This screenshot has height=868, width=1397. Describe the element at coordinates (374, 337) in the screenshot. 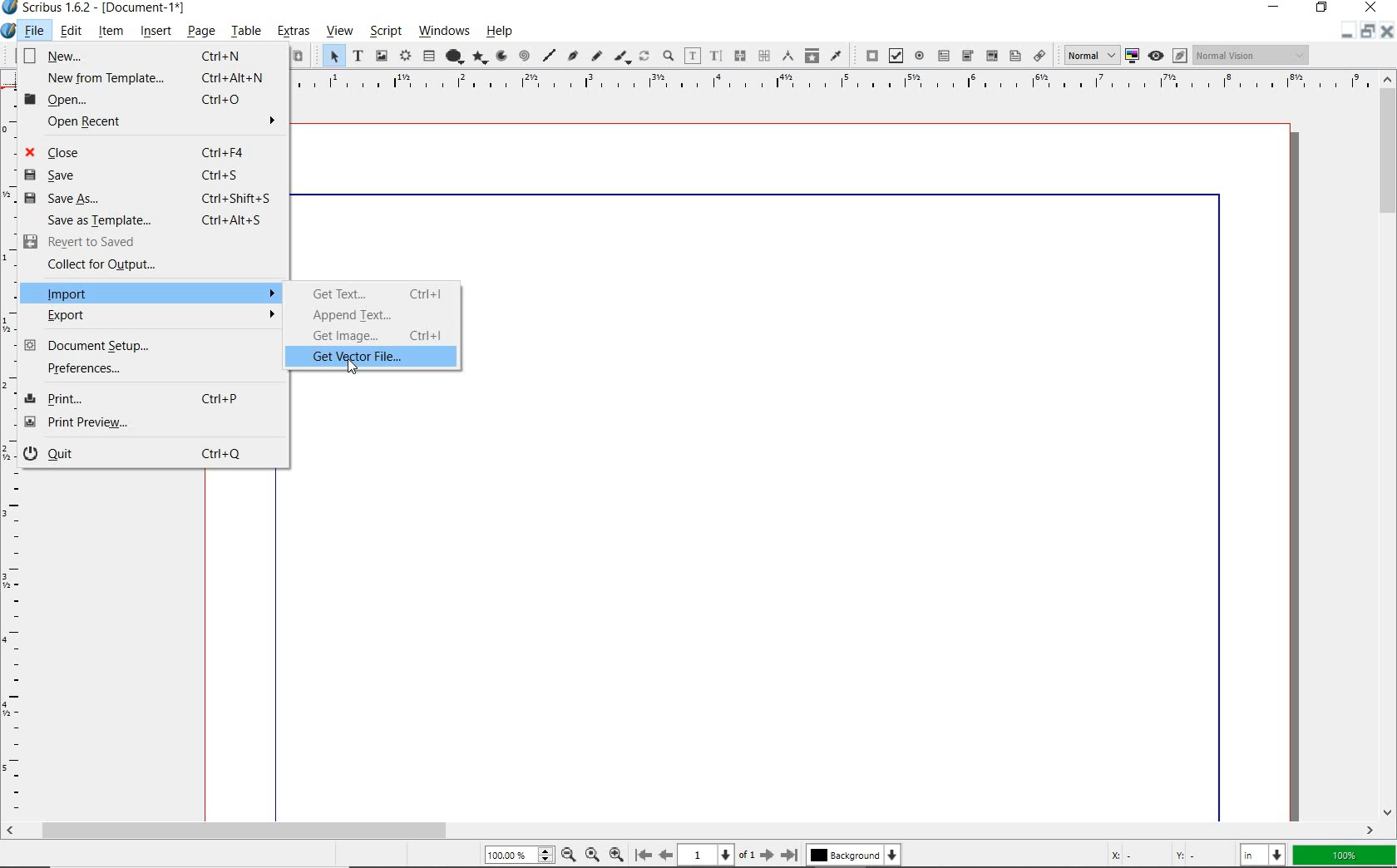

I see `get image...` at that location.